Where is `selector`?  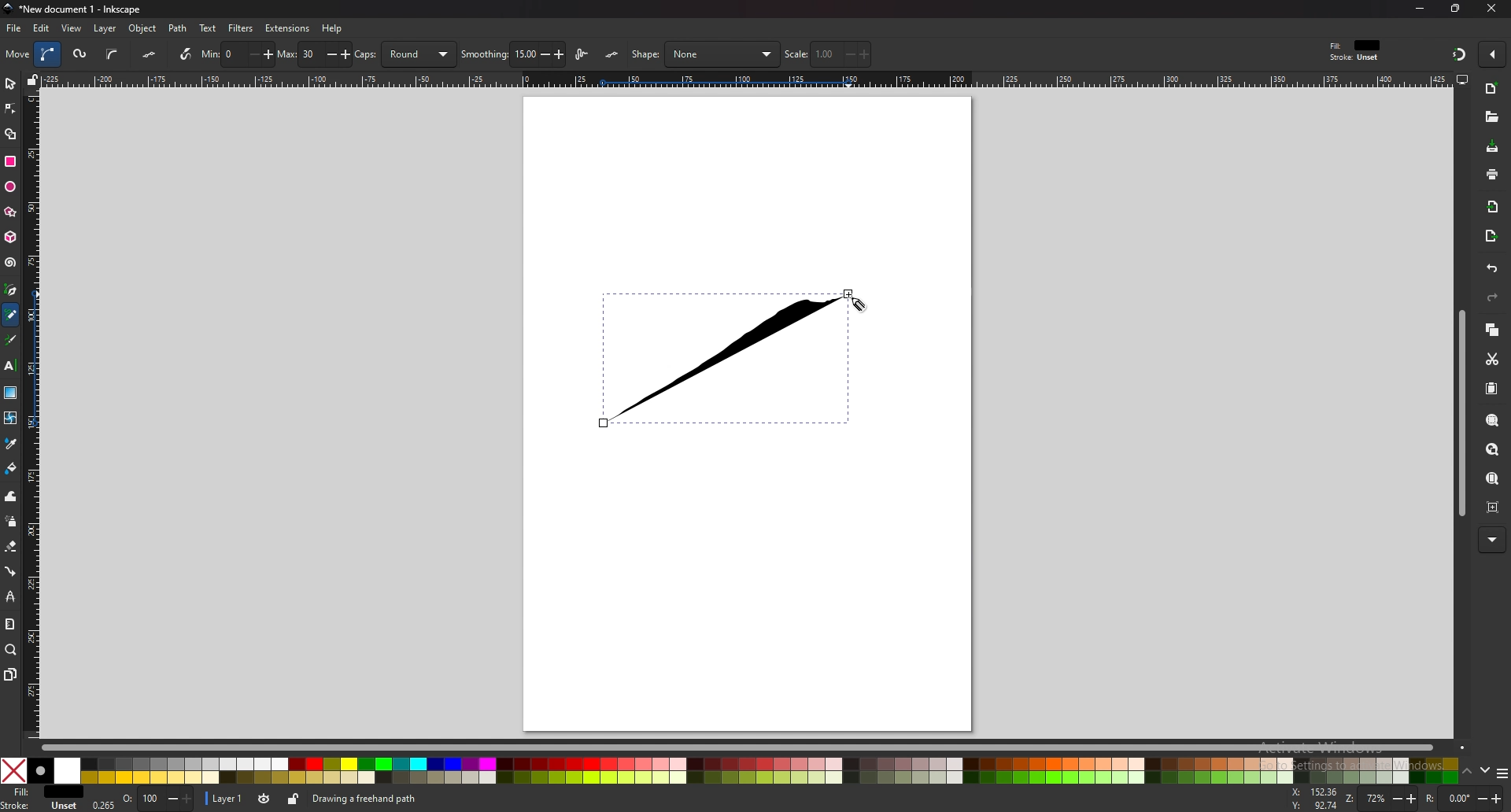
selector is located at coordinates (10, 83).